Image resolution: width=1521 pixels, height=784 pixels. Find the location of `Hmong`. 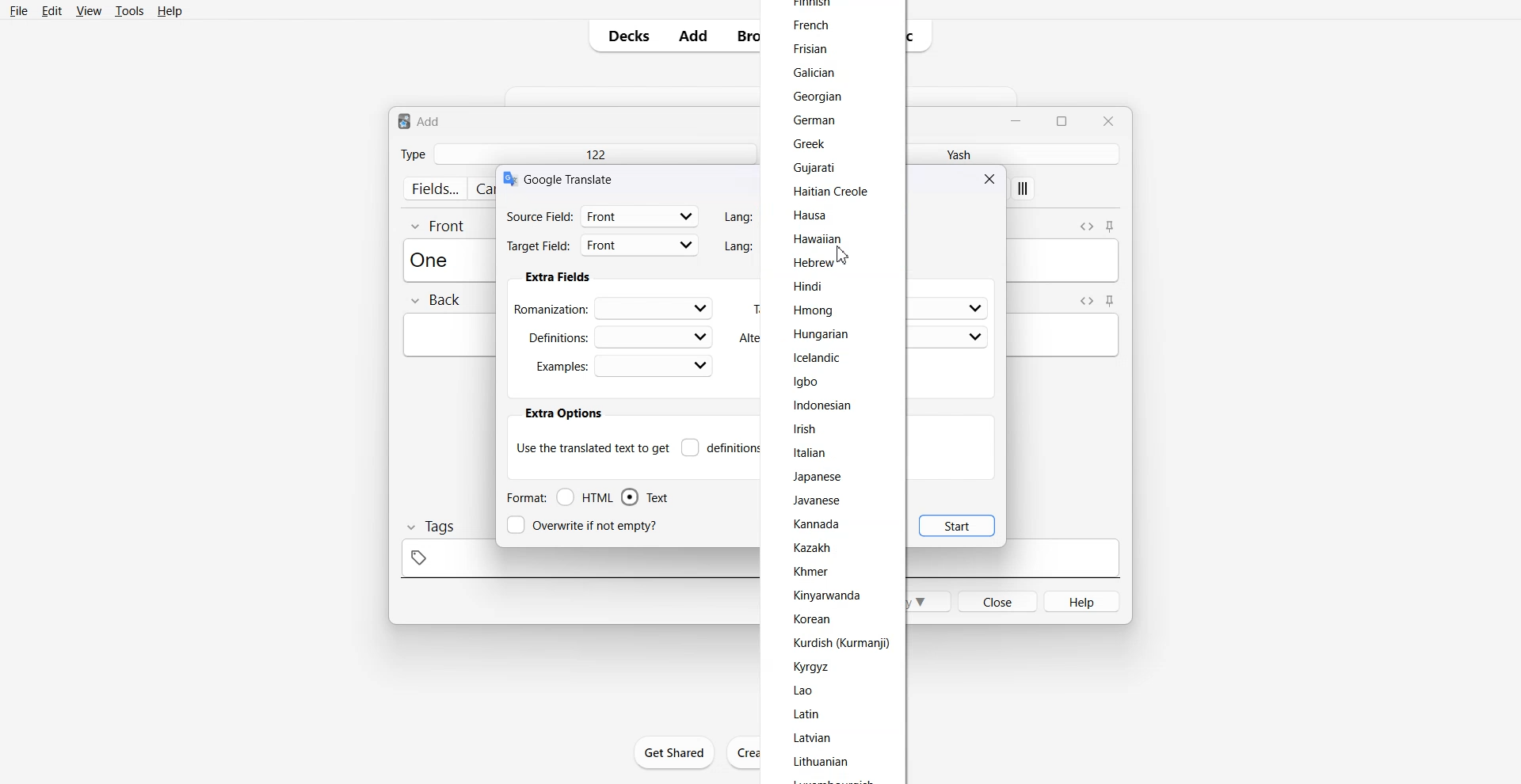

Hmong is located at coordinates (818, 311).